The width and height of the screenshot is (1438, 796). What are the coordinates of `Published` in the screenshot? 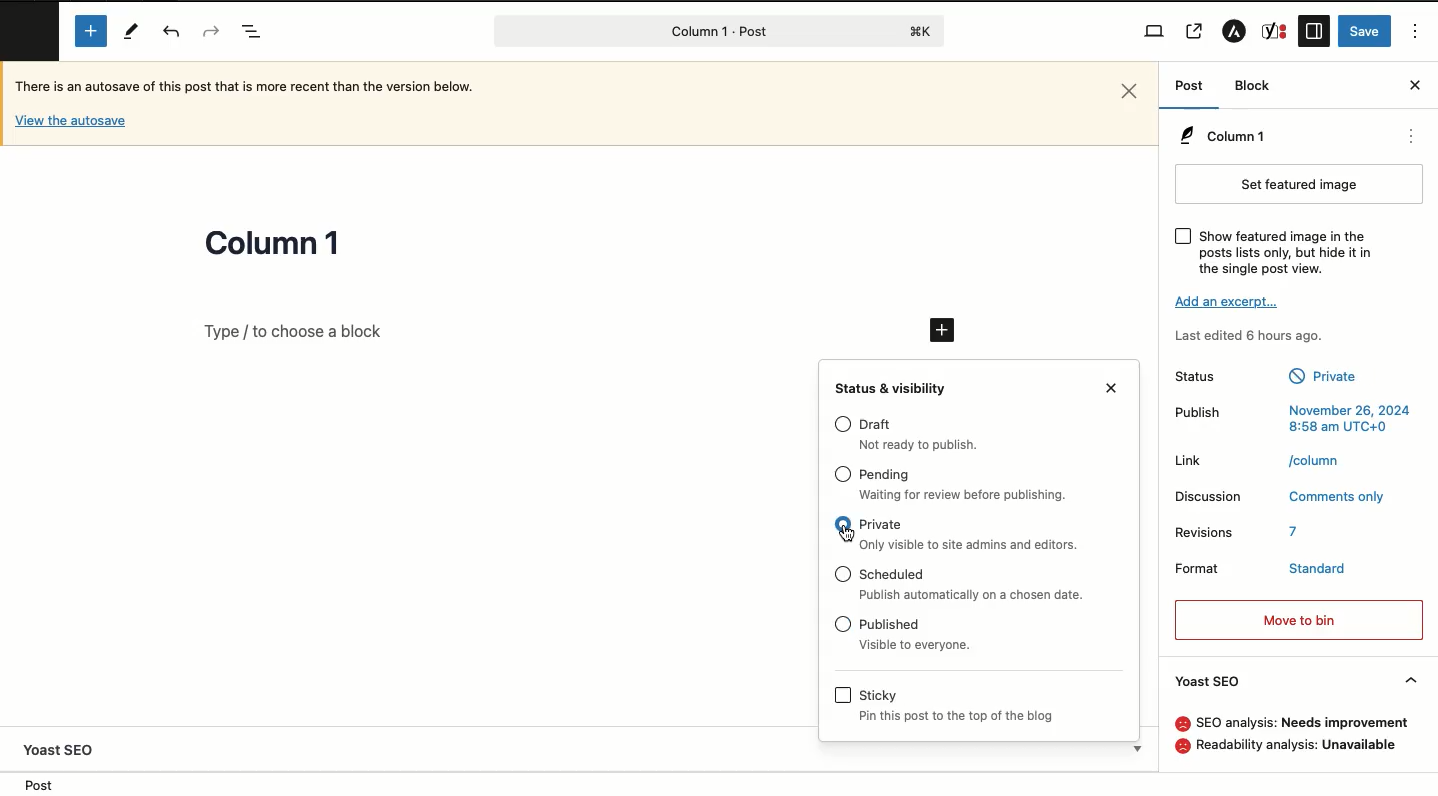 It's located at (891, 624).